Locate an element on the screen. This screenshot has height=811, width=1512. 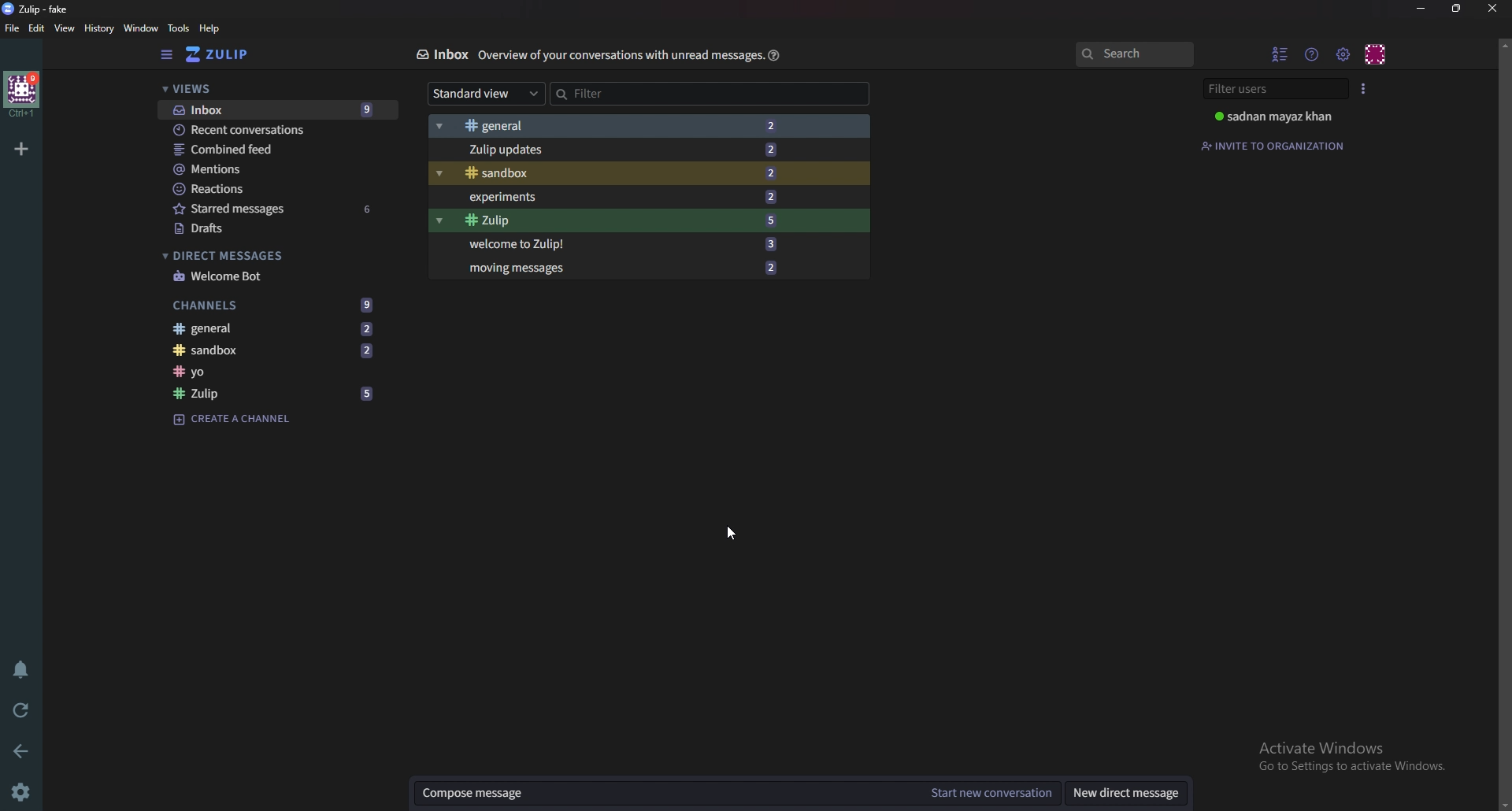
Compose message is located at coordinates (666, 794).